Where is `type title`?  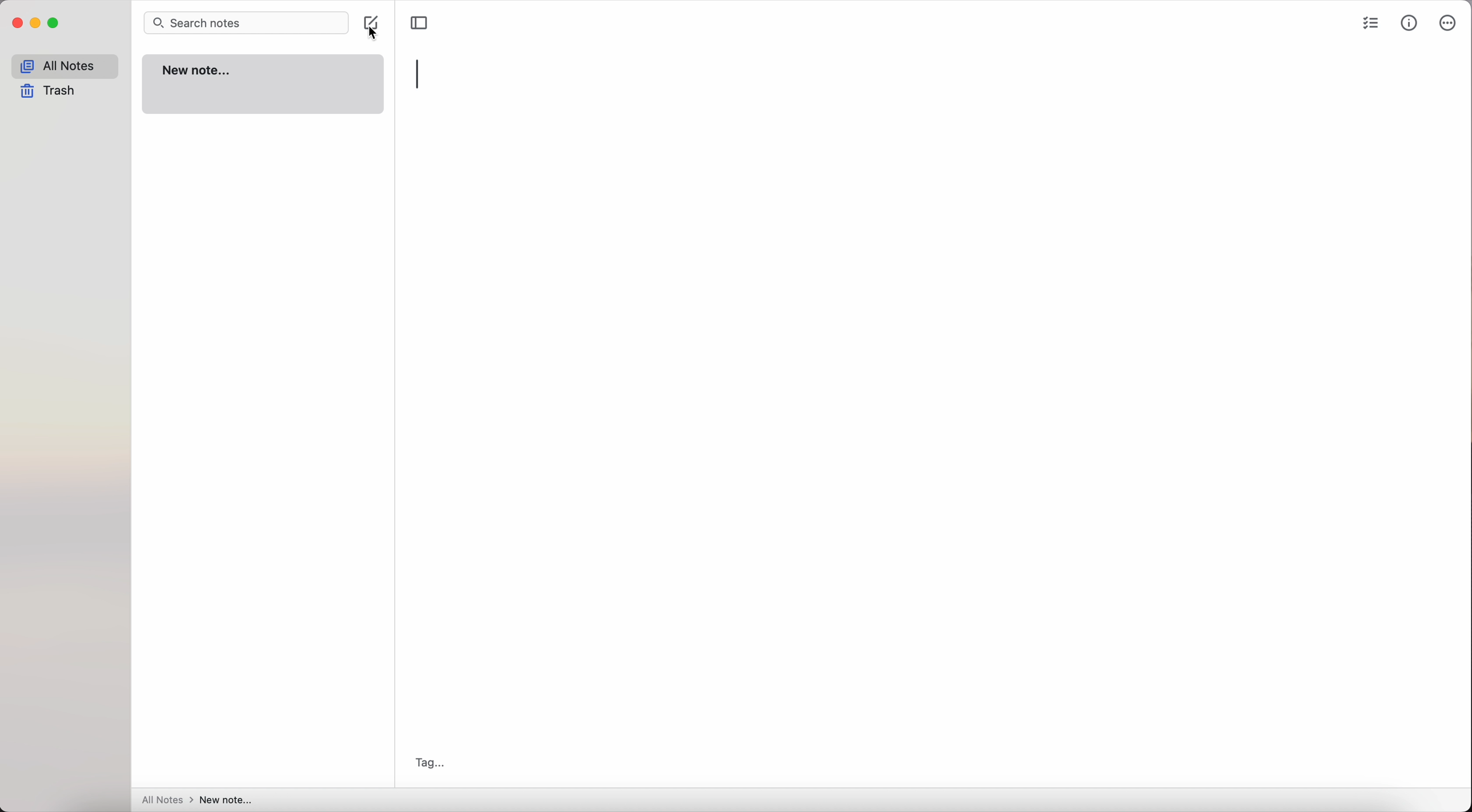
type title is located at coordinates (419, 73).